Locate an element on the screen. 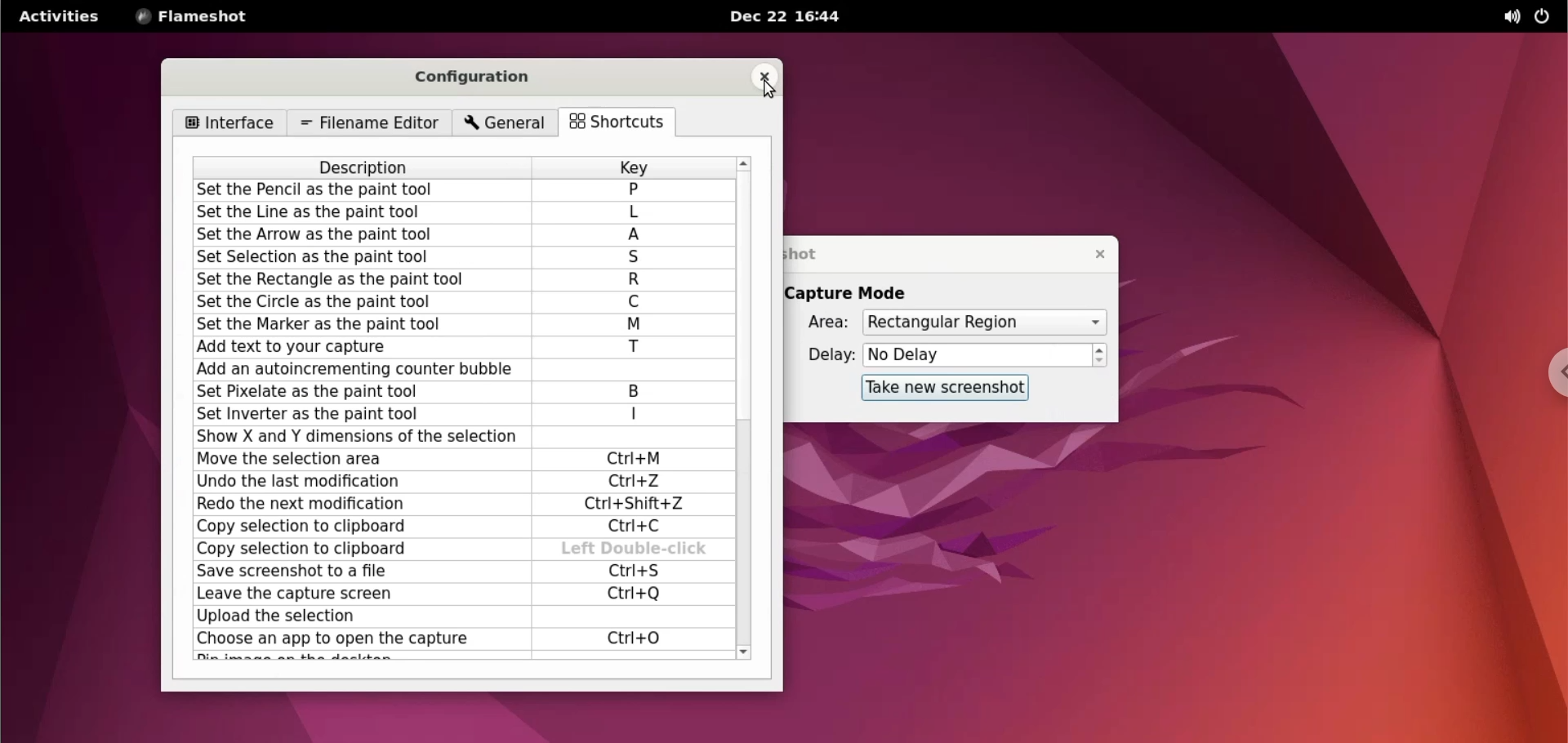 The height and width of the screenshot is (743, 1568). Ctrl + M is located at coordinates (639, 460).